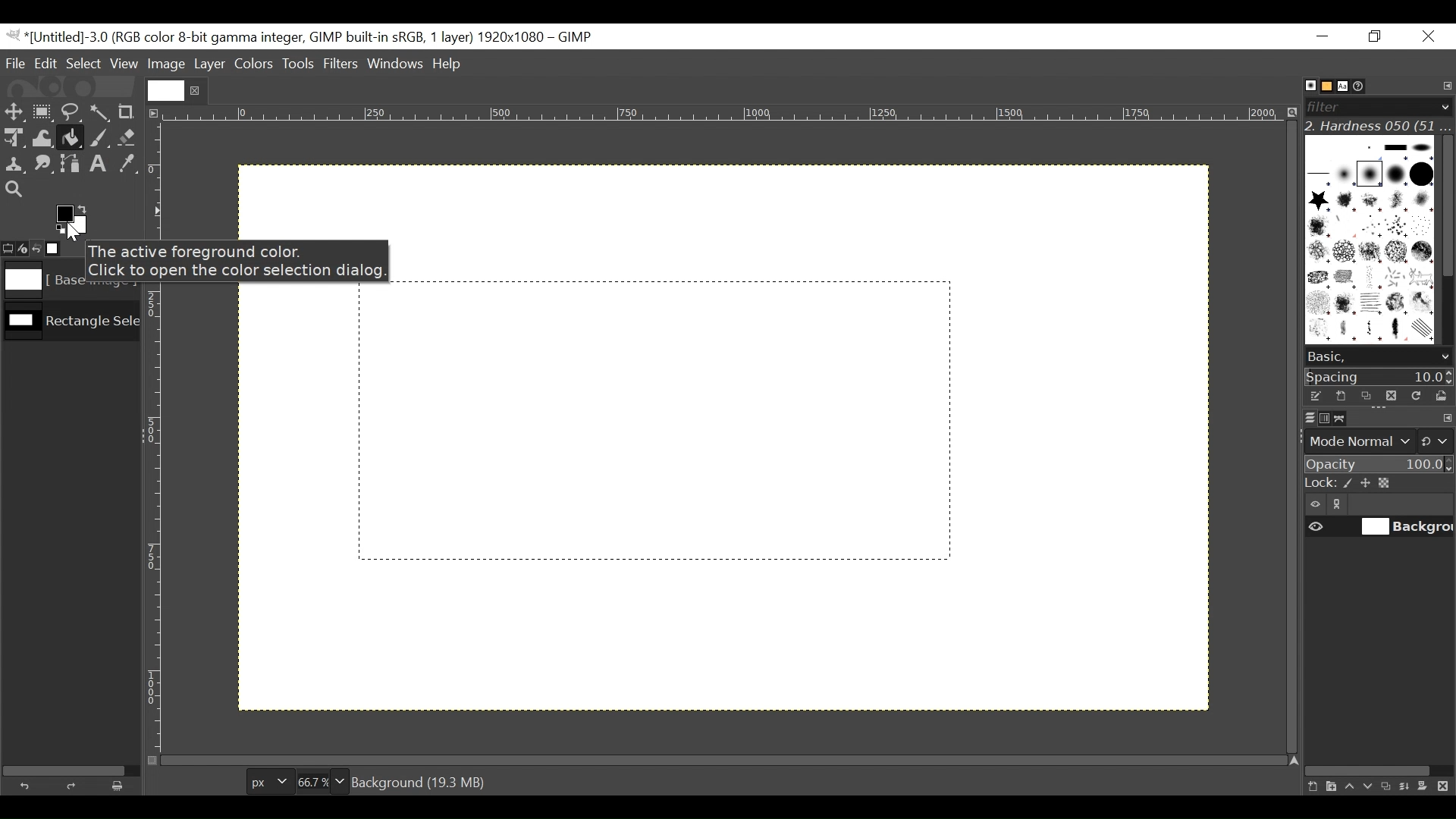  Describe the element at coordinates (1445, 86) in the screenshot. I see `Configure tab` at that location.